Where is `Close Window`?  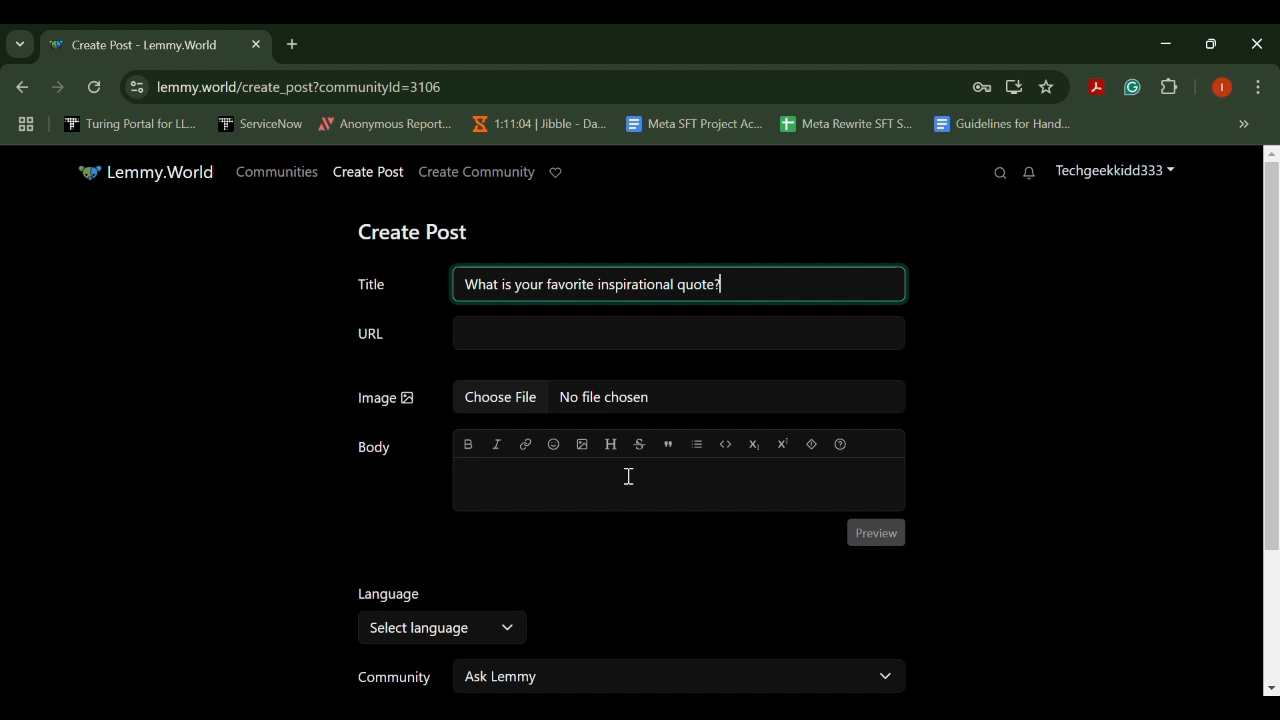
Close Window is located at coordinates (1258, 44).